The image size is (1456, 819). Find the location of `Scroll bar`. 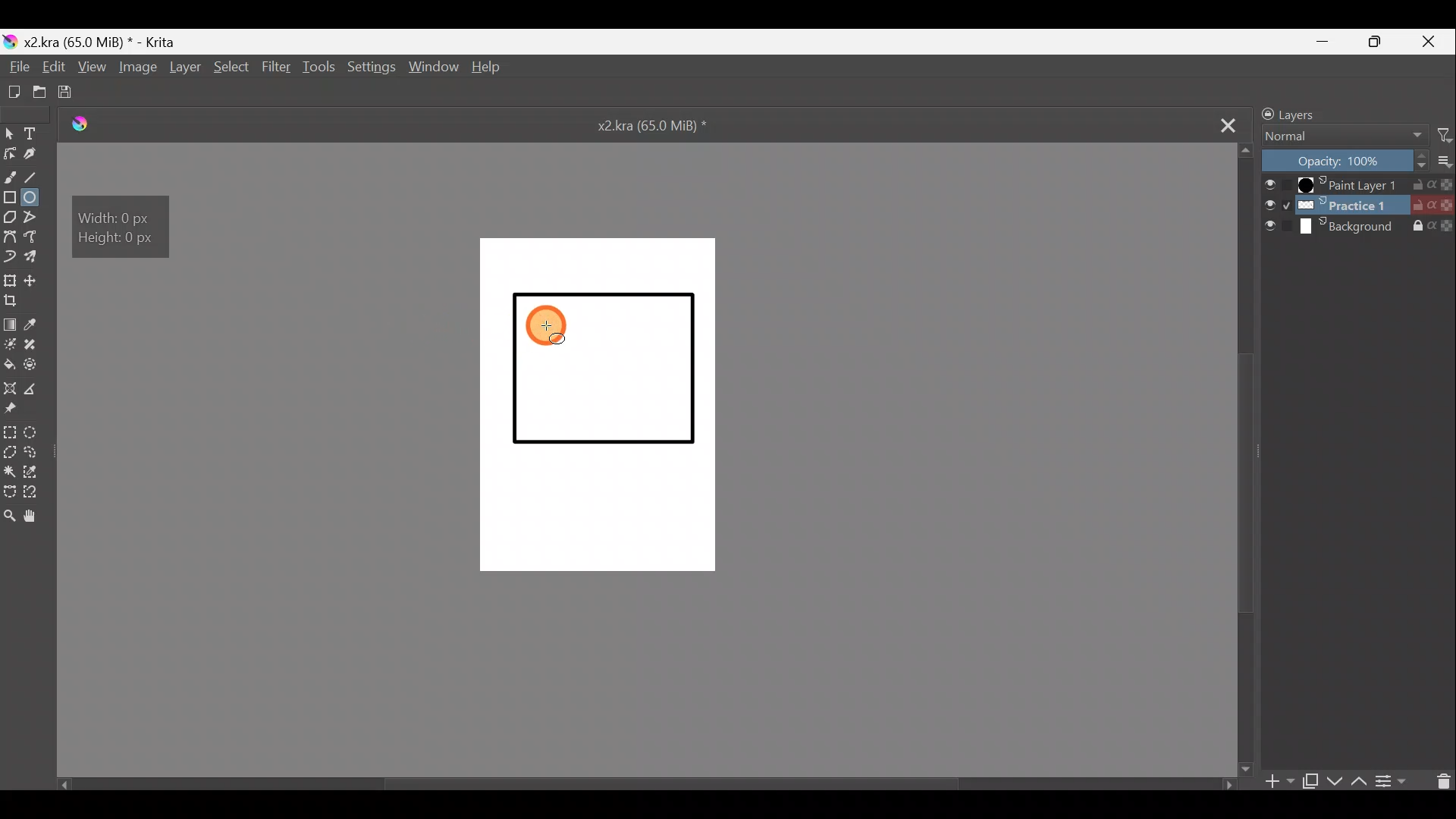

Scroll bar is located at coordinates (1247, 459).